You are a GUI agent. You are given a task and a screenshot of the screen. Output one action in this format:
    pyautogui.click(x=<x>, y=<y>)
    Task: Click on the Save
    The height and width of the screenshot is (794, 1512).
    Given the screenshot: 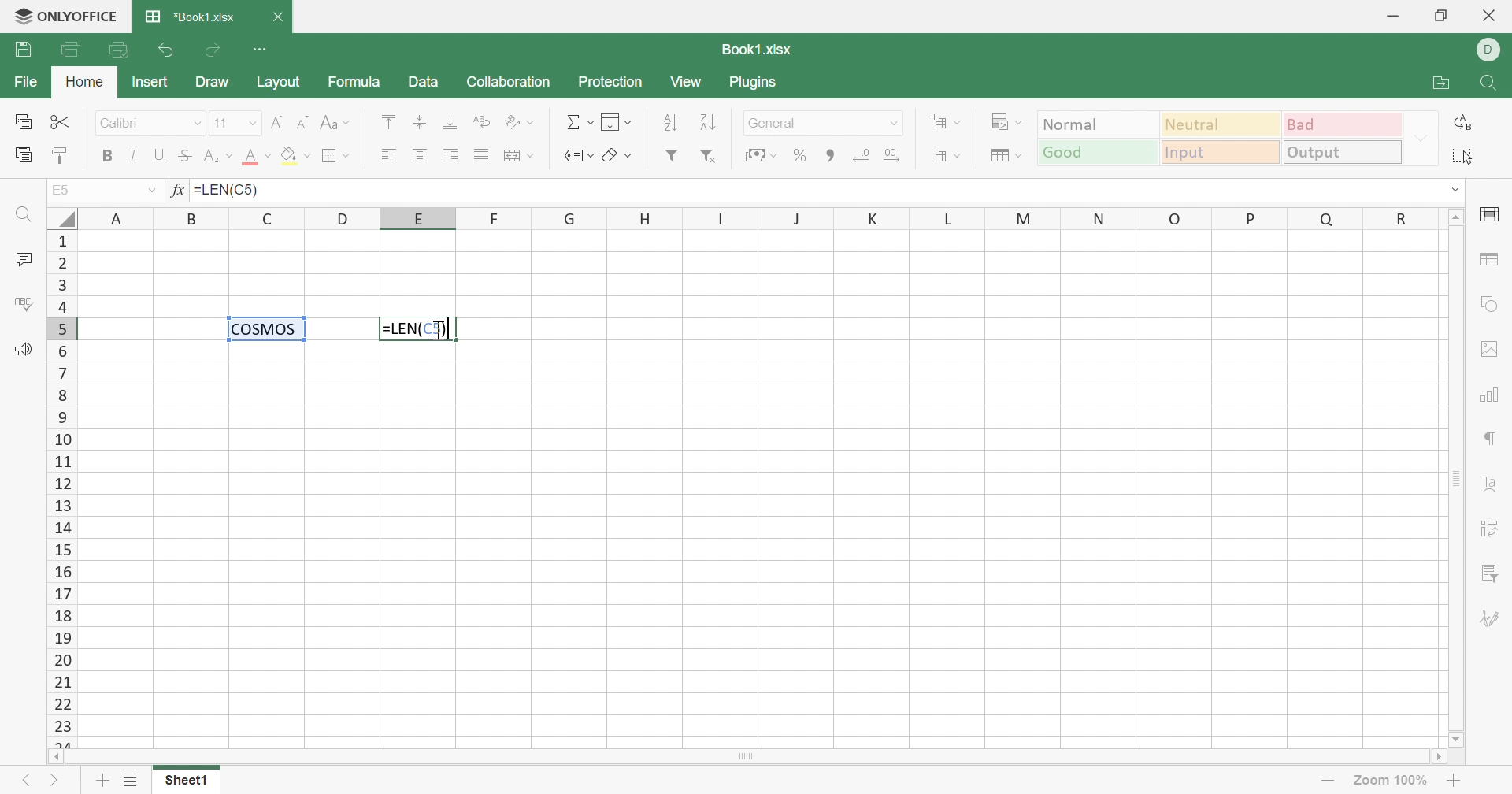 What is the action you would take?
    pyautogui.click(x=22, y=50)
    